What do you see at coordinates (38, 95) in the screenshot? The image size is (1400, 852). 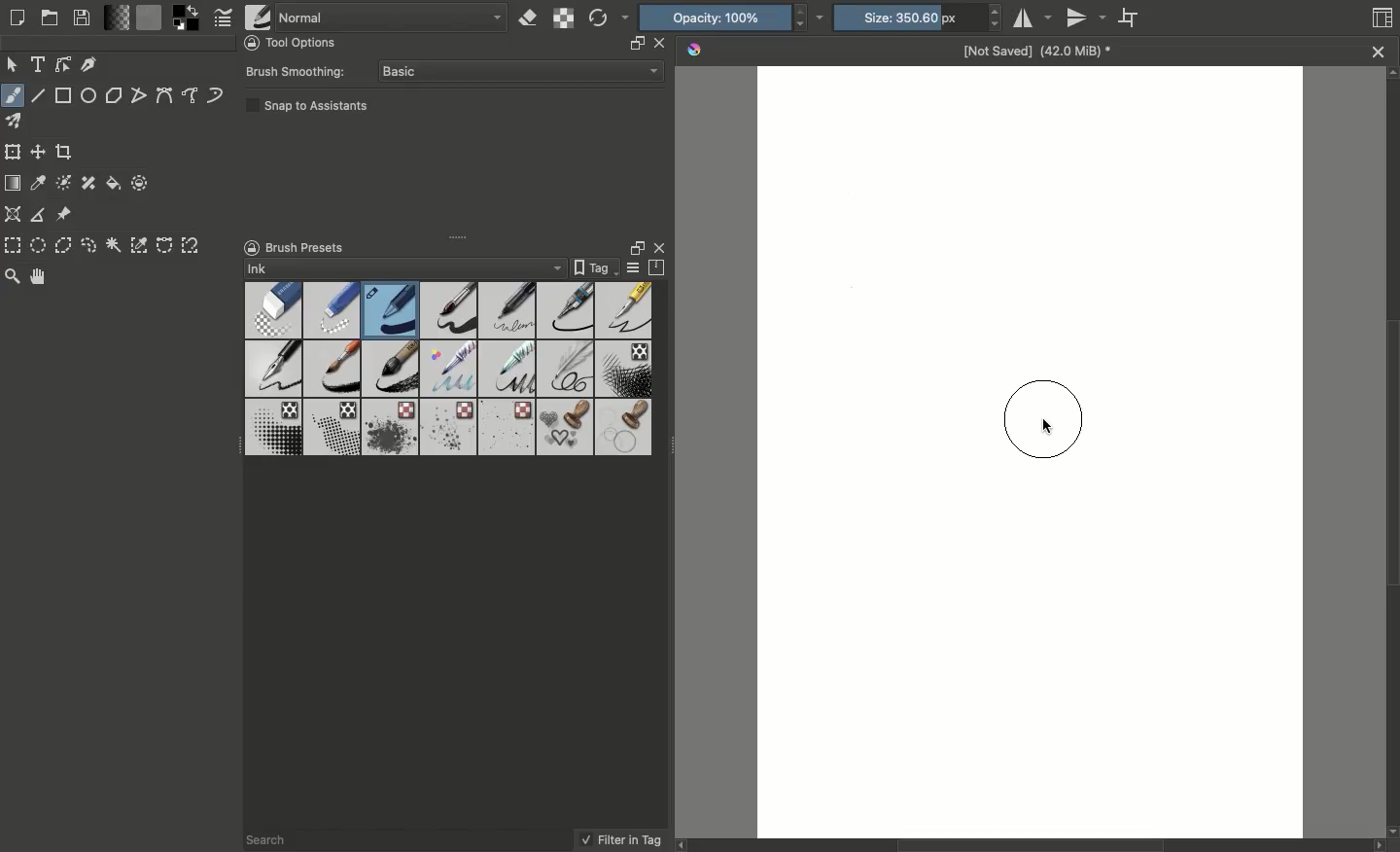 I see `Line` at bounding box center [38, 95].